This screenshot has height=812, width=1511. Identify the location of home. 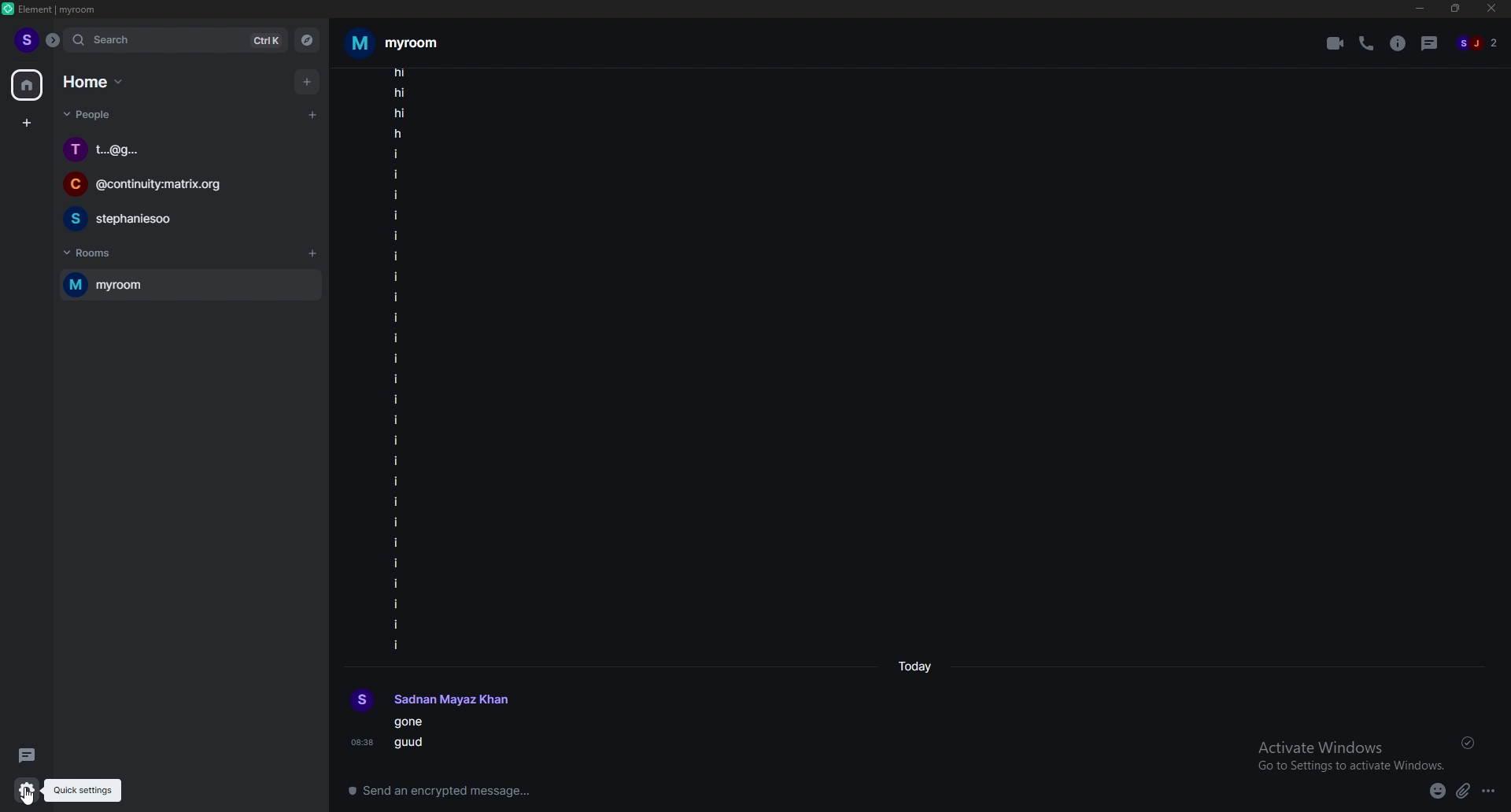
(95, 82).